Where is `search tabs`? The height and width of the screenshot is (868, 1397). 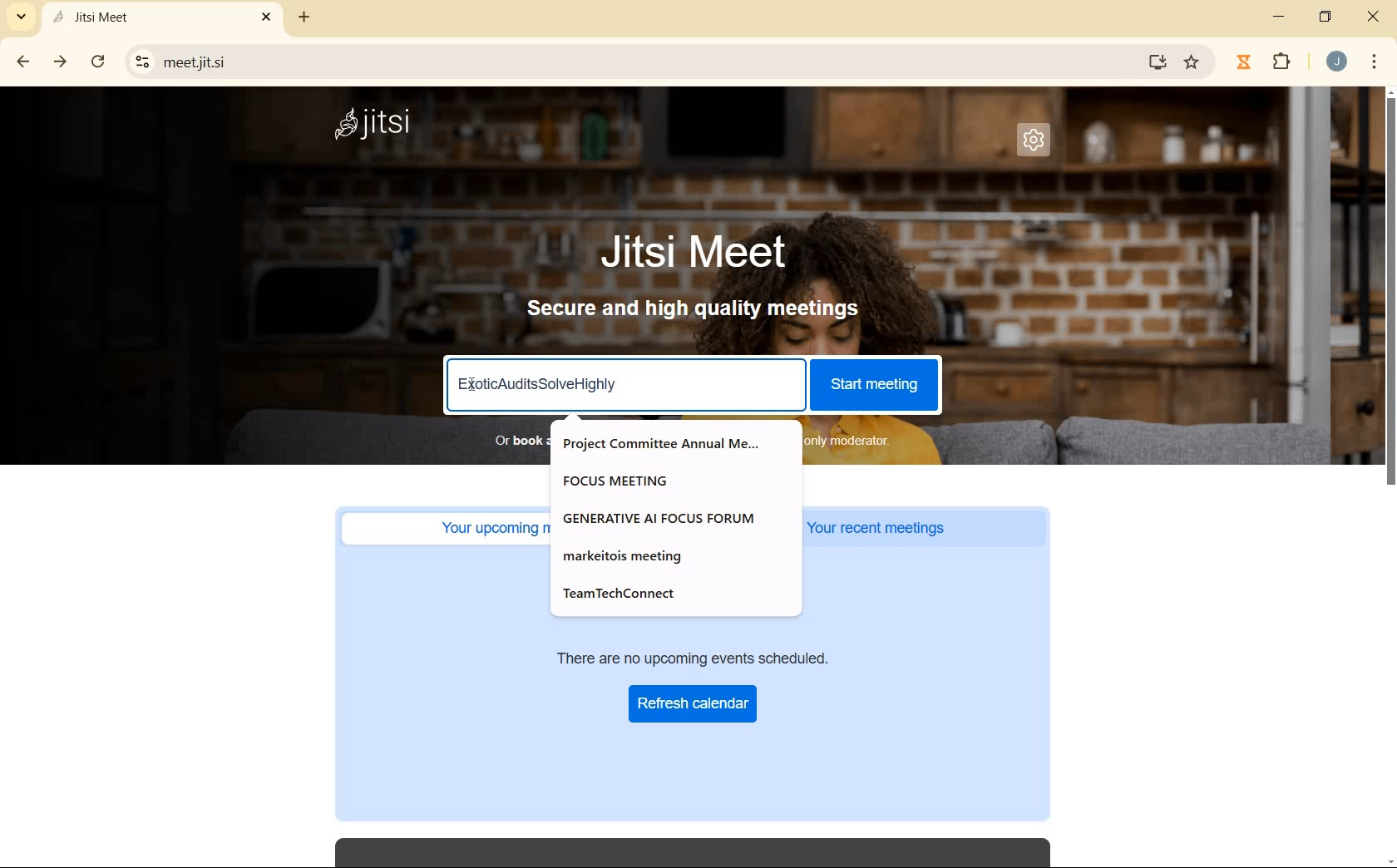 search tabs is located at coordinates (22, 16).